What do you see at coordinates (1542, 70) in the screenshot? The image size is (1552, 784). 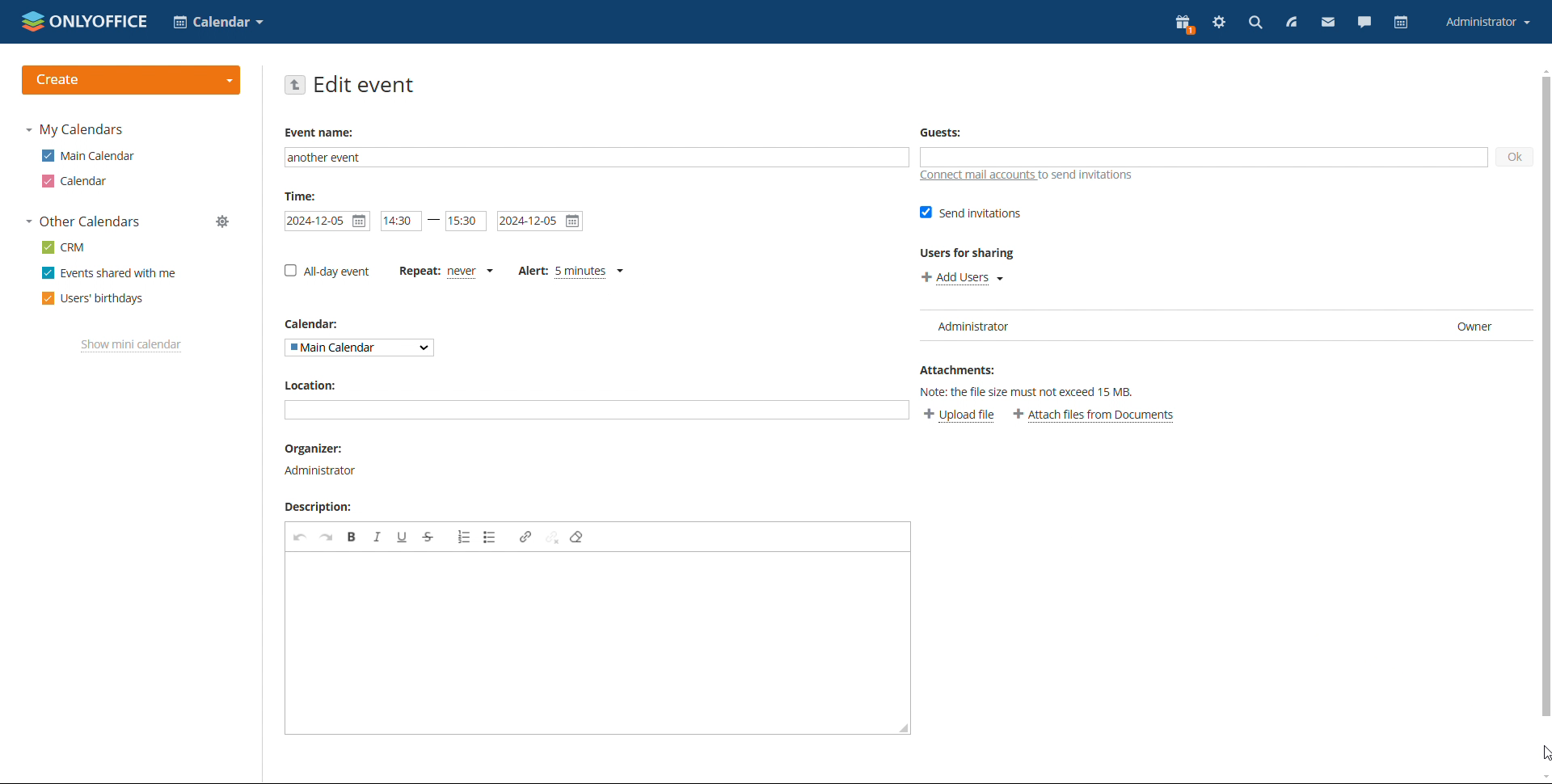 I see `scroll up` at bounding box center [1542, 70].